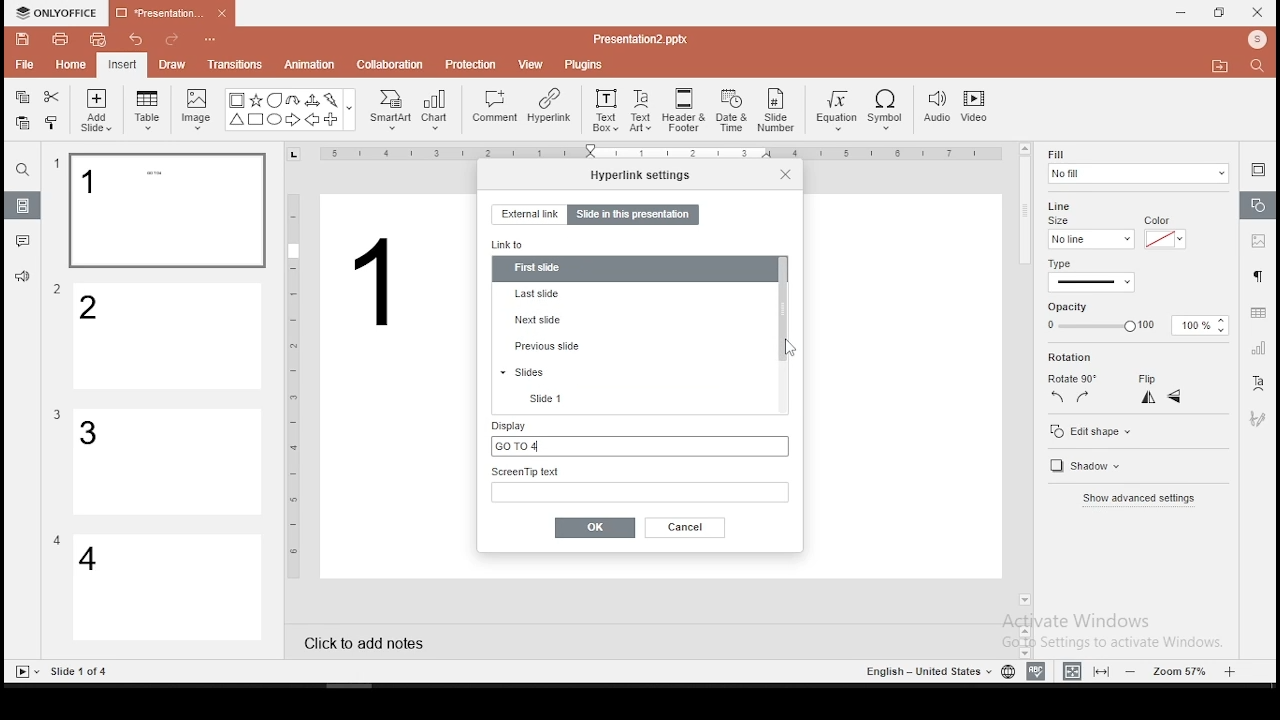 The image size is (1280, 720). What do you see at coordinates (234, 64) in the screenshot?
I see `transitions` at bounding box center [234, 64].